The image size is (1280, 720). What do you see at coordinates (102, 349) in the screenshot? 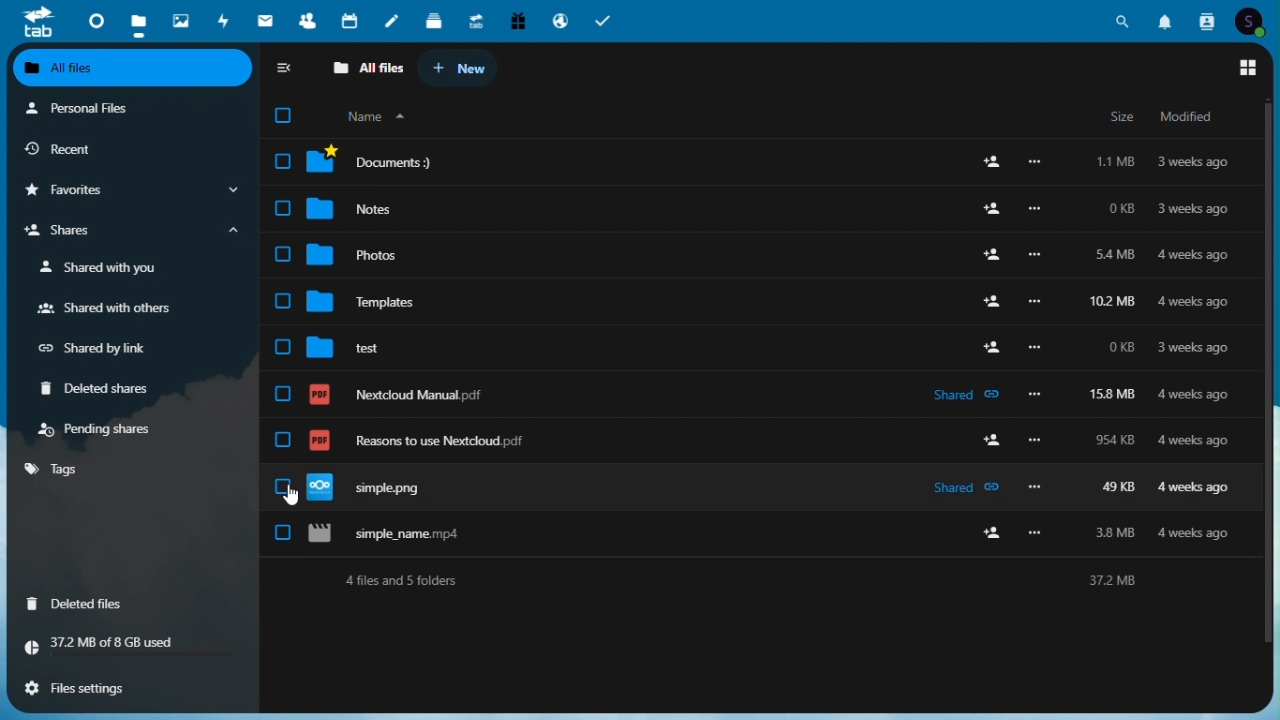
I see `shared by link` at bounding box center [102, 349].